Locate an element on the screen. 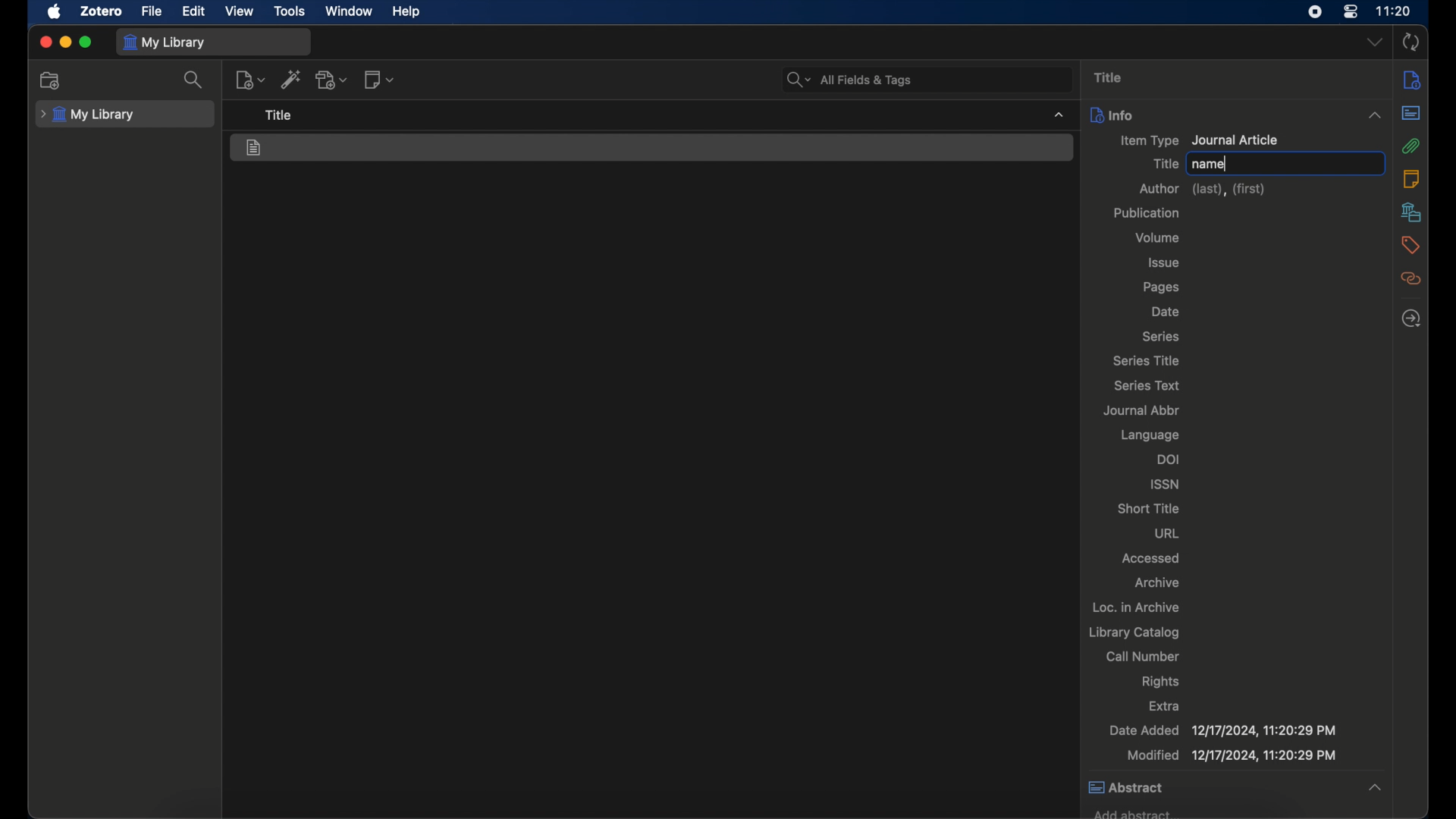 This screenshot has height=819, width=1456. author is located at coordinates (1204, 191).